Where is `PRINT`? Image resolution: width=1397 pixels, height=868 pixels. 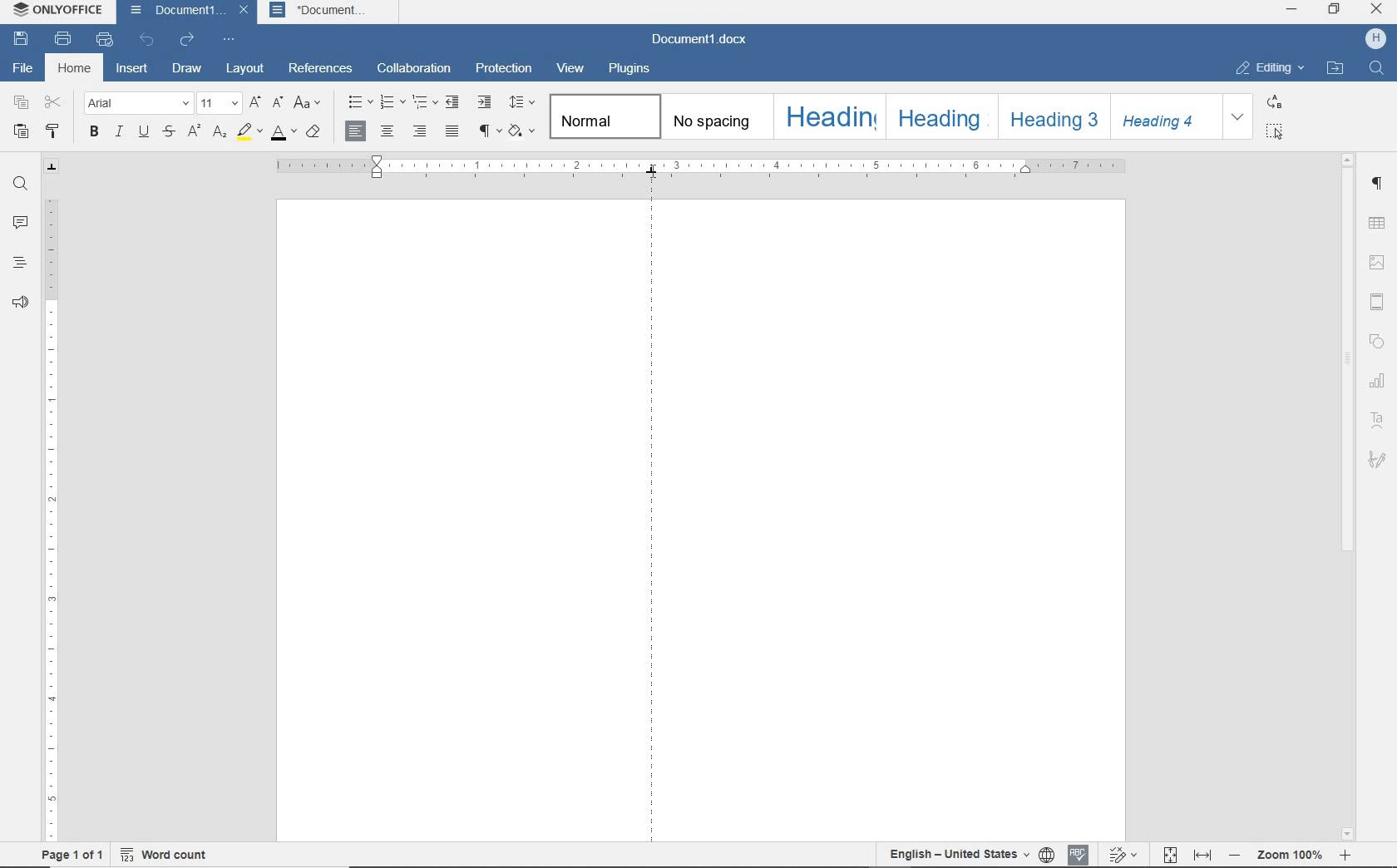 PRINT is located at coordinates (62, 38).